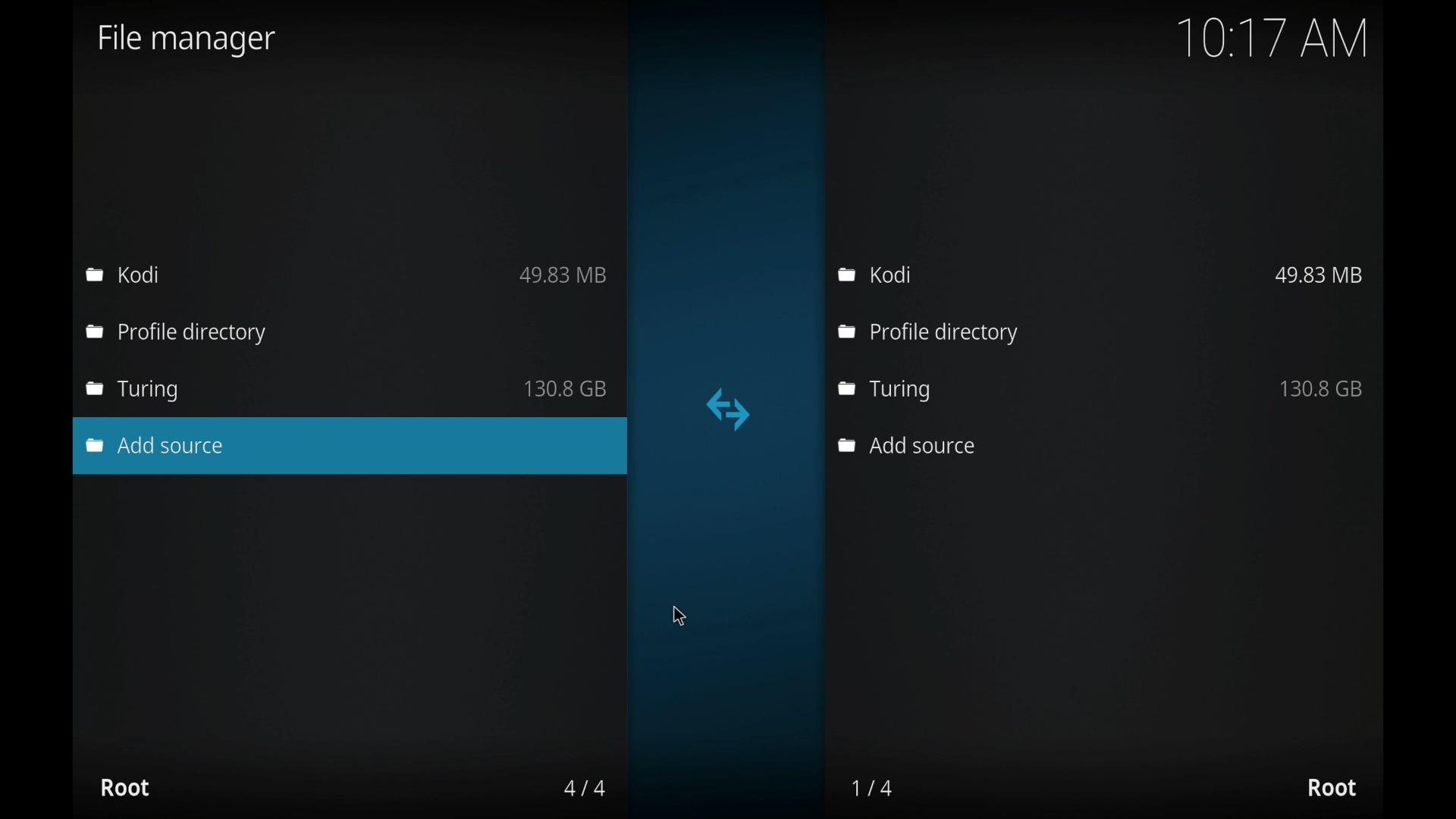  What do you see at coordinates (123, 274) in the screenshot?
I see `kodi` at bounding box center [123, 274].